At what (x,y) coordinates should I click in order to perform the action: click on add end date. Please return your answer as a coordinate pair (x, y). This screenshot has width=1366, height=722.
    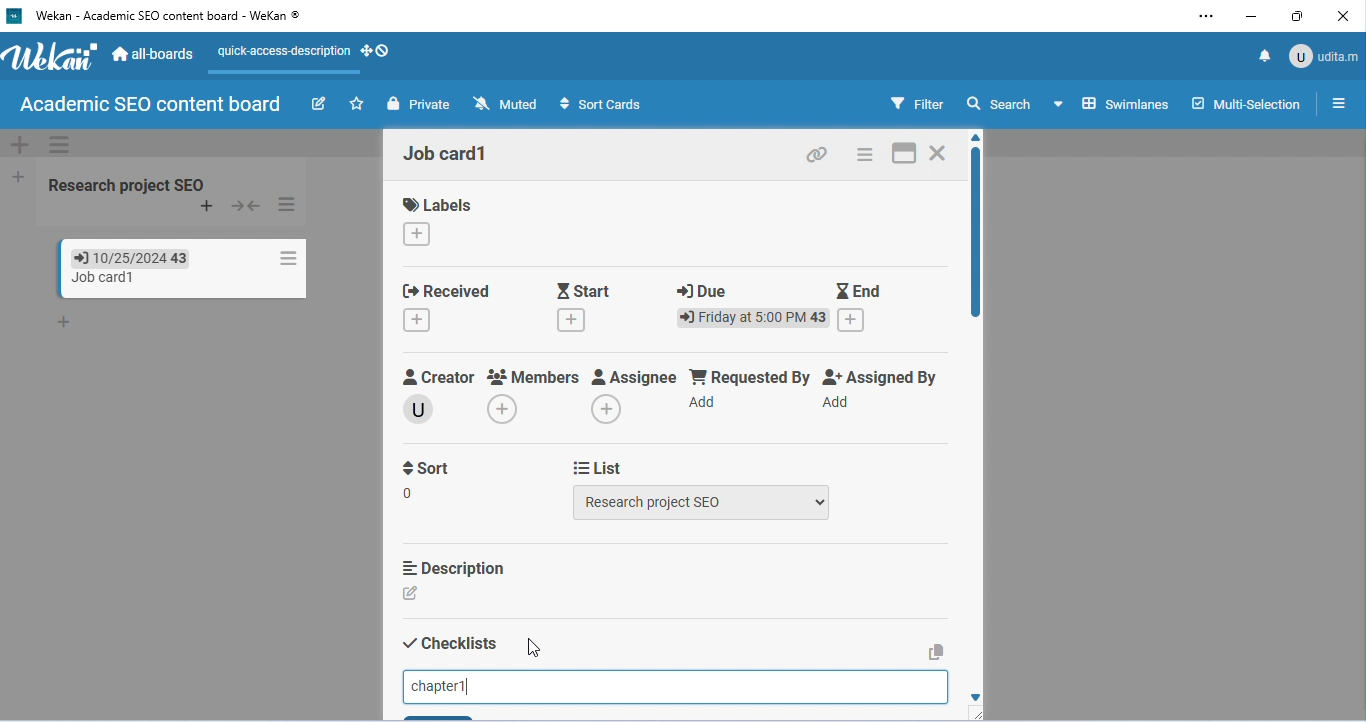
    Looking at the image, I should click on (853, 320).